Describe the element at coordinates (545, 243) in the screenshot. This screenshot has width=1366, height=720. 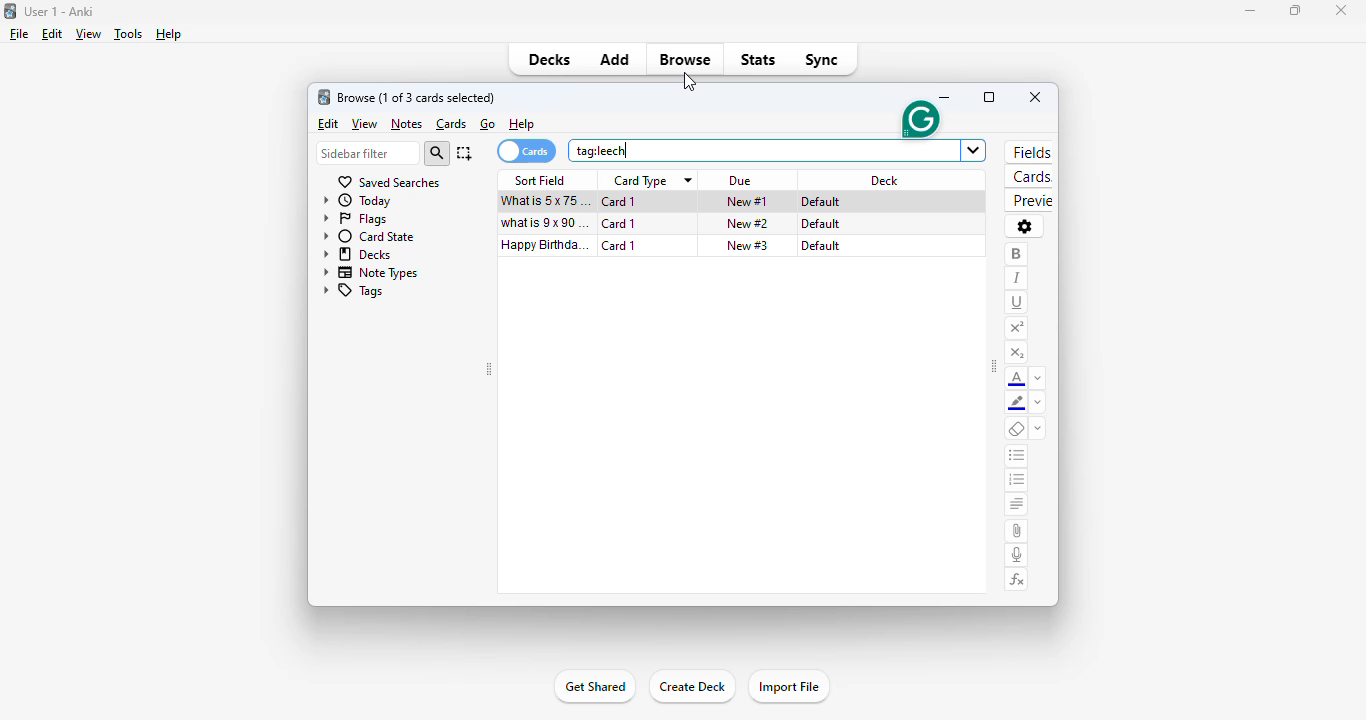
I see `happy birthday song!!!.mp3` at that location.